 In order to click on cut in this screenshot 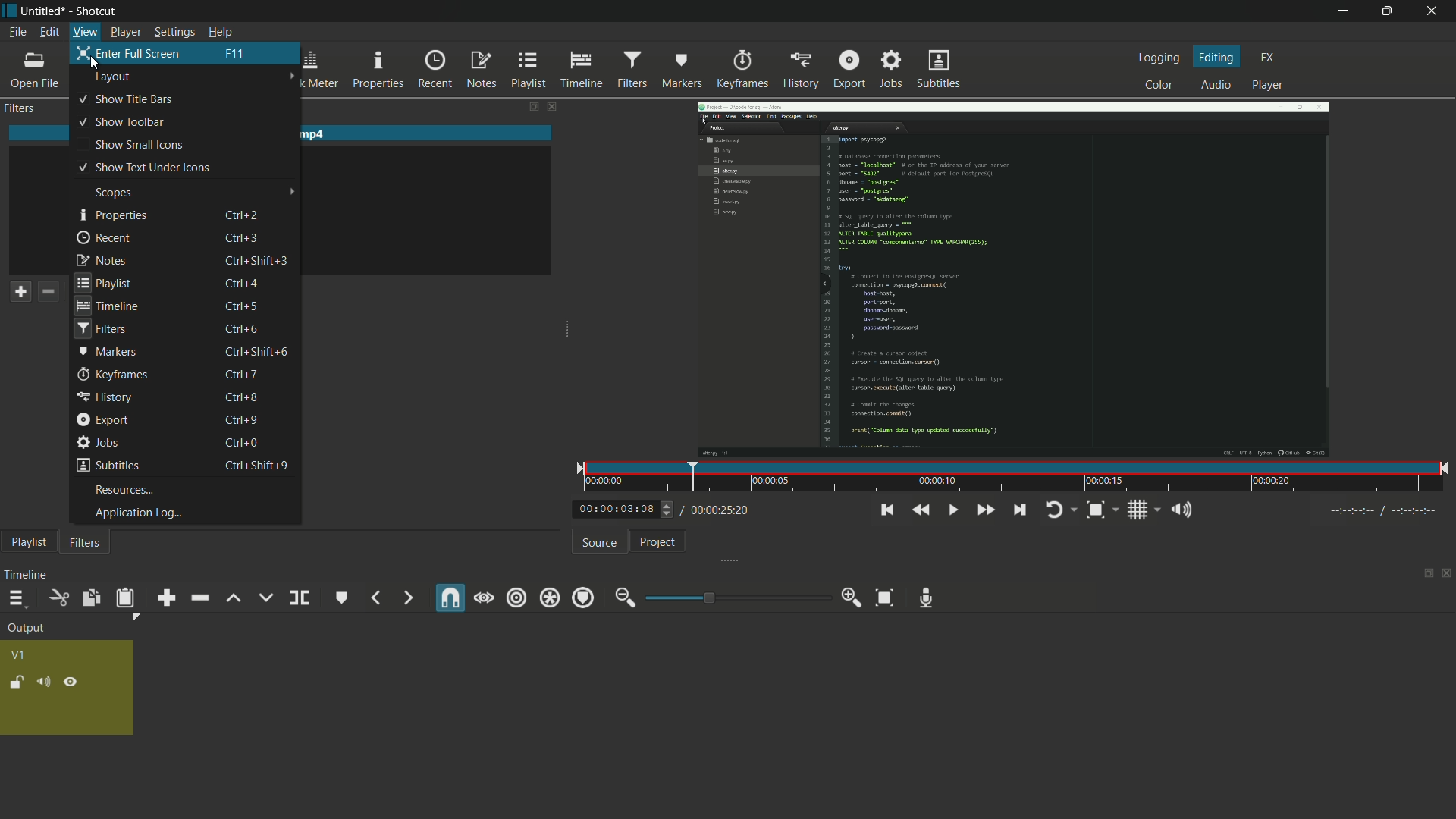, I will do `click(60, 598)`.